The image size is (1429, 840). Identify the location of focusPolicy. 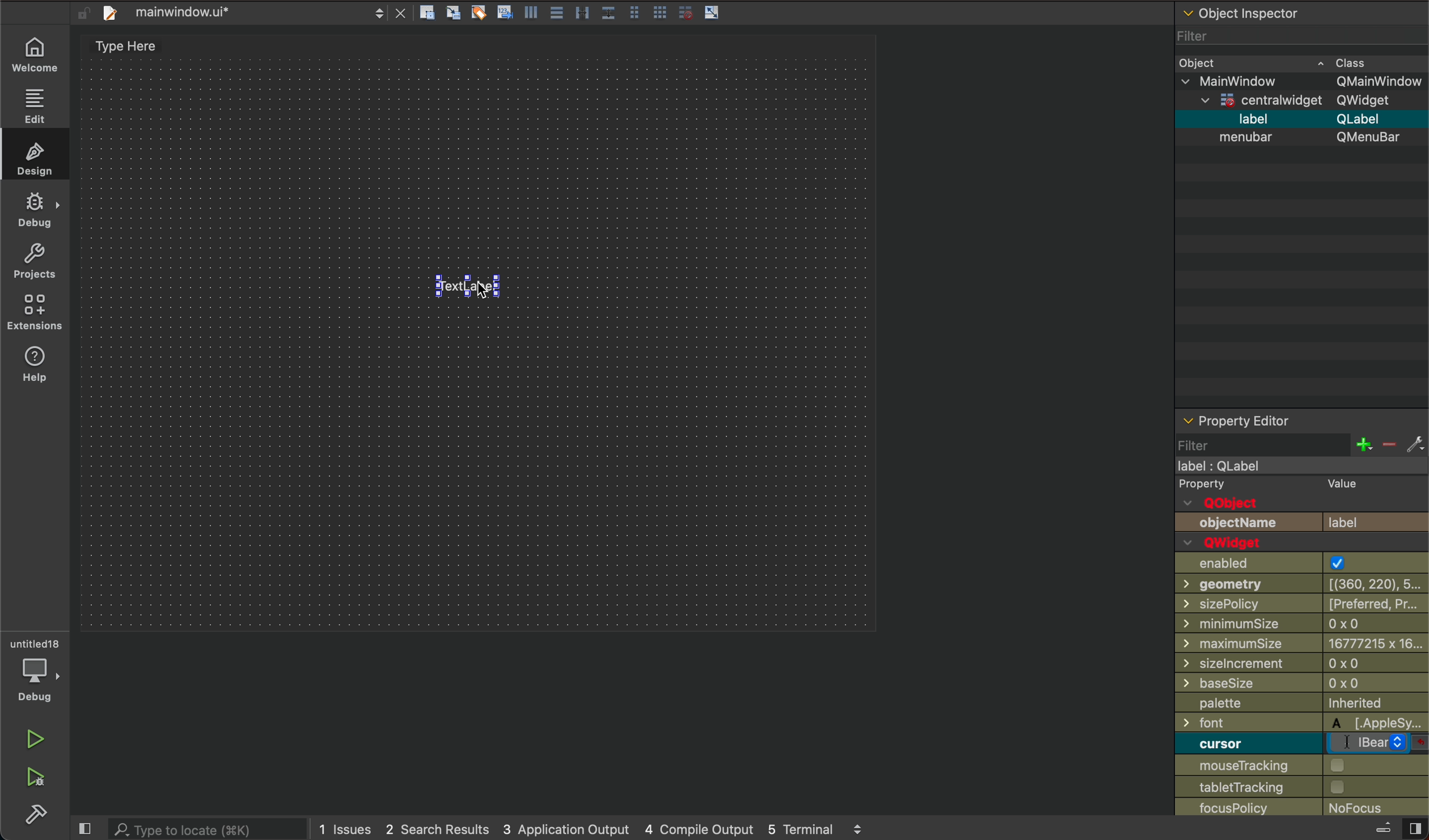
(1247, 807).